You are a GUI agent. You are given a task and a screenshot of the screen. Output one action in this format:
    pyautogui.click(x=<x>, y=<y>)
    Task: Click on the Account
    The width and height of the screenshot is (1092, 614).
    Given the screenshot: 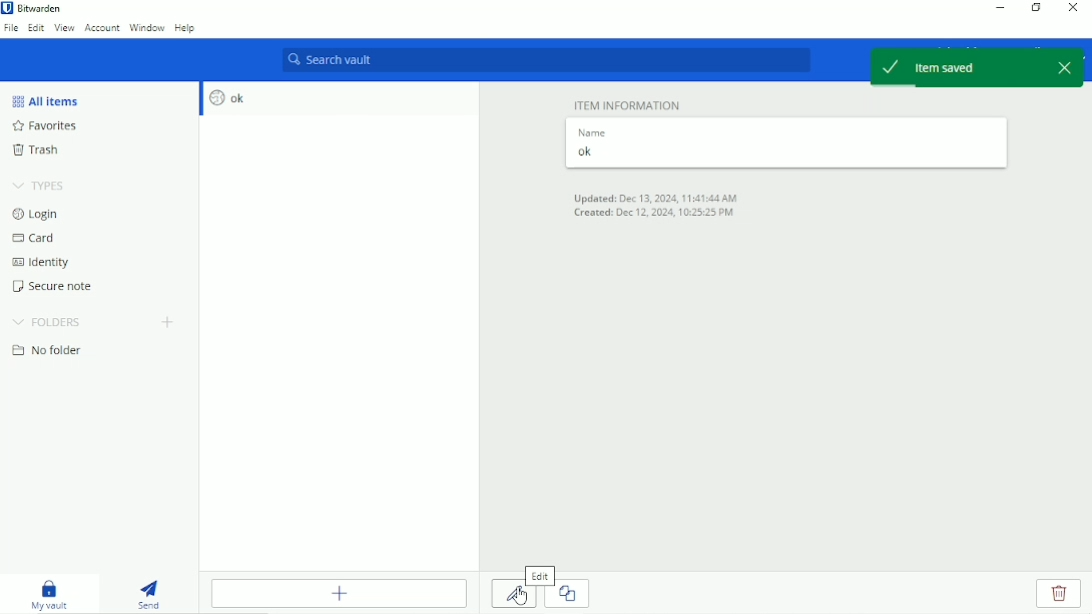 What is the action you would take?
    pyautogui.click(x=102, y=28)
    